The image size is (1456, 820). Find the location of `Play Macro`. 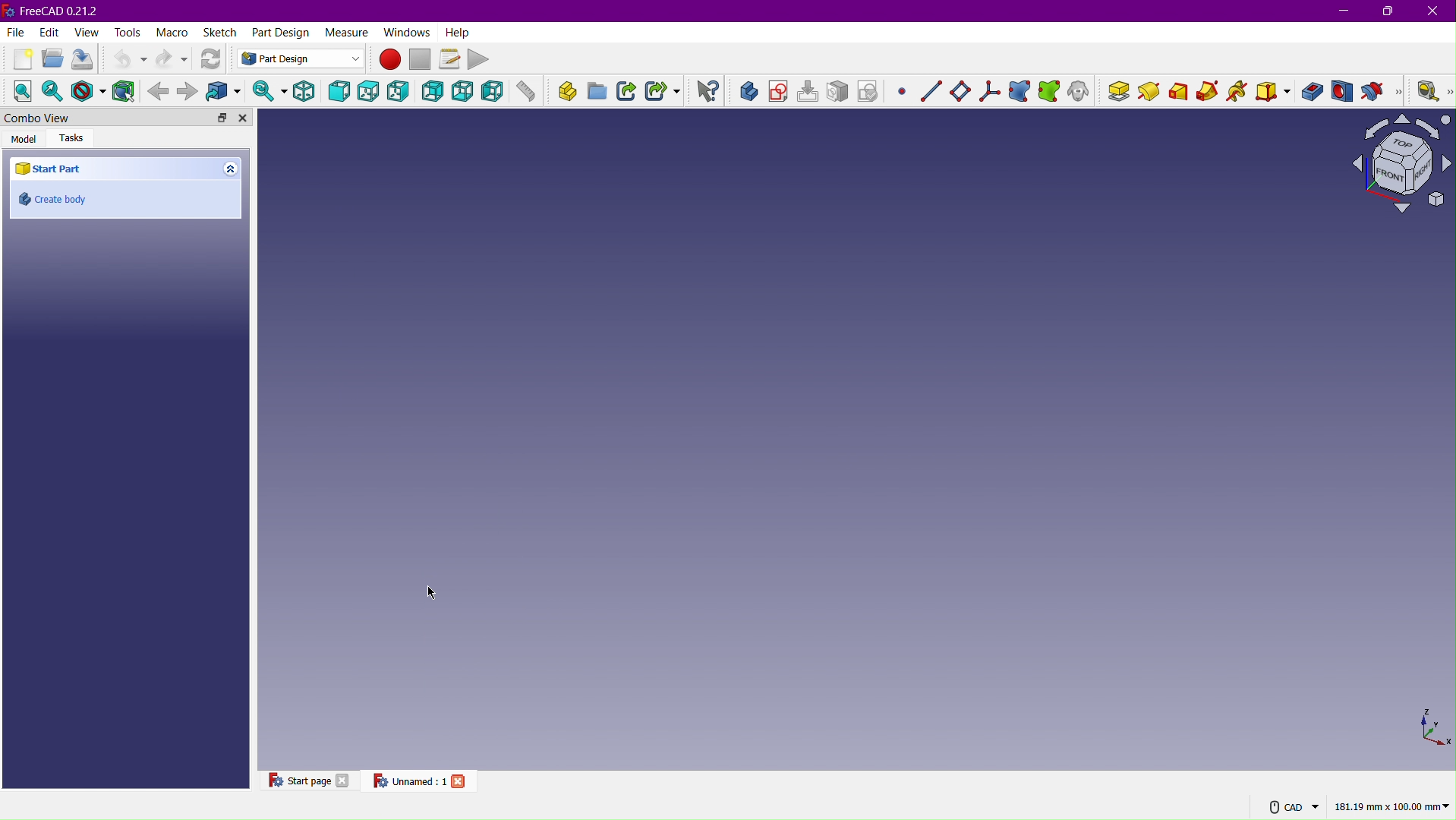

Play Macro is located at coordinates (487, 60).